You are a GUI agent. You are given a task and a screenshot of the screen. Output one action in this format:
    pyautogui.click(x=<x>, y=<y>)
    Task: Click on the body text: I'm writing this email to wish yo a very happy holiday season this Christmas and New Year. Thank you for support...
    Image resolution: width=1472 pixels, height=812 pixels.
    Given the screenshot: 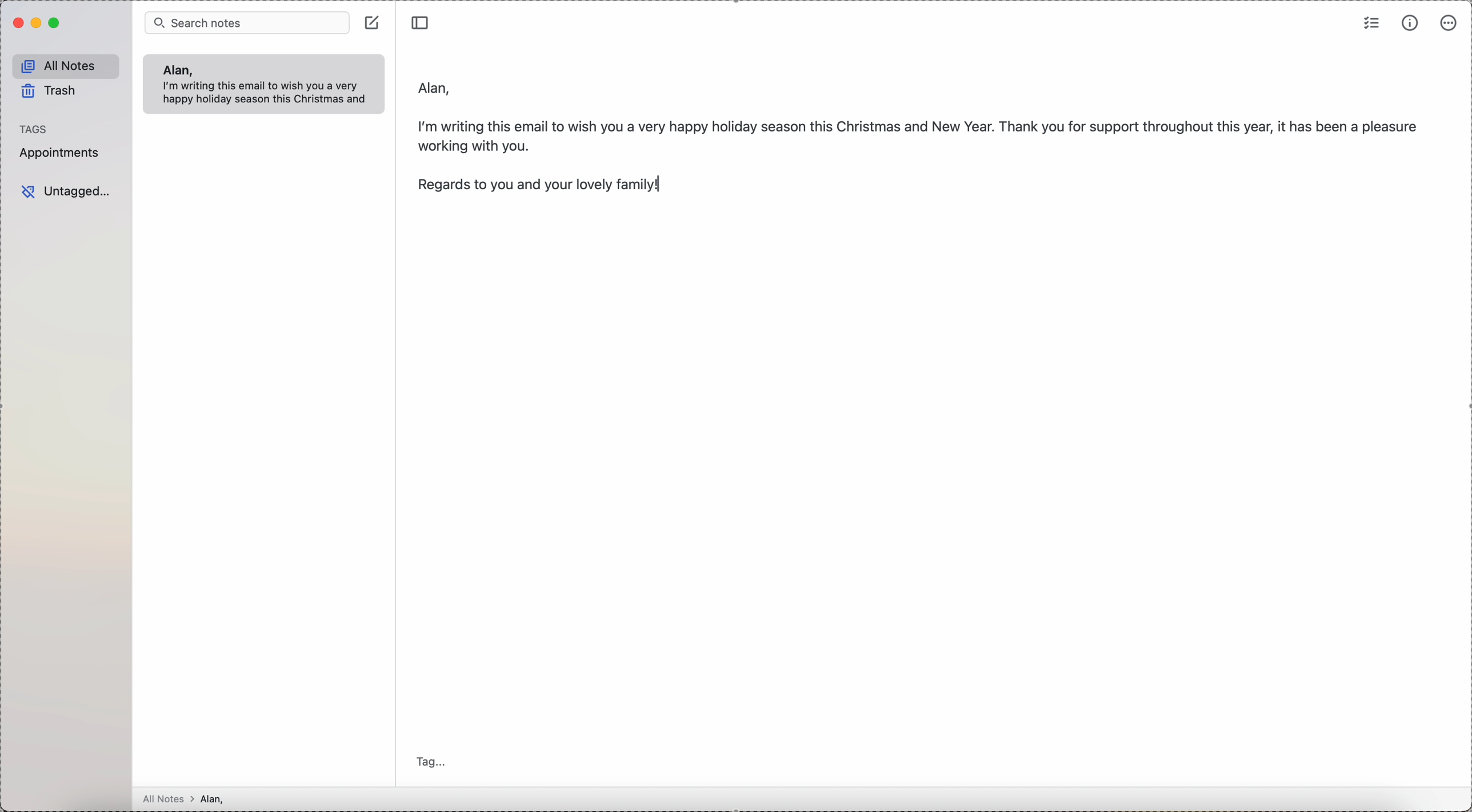 What is the action you would take?
    pyautogui.click(x=920, y=133)
    